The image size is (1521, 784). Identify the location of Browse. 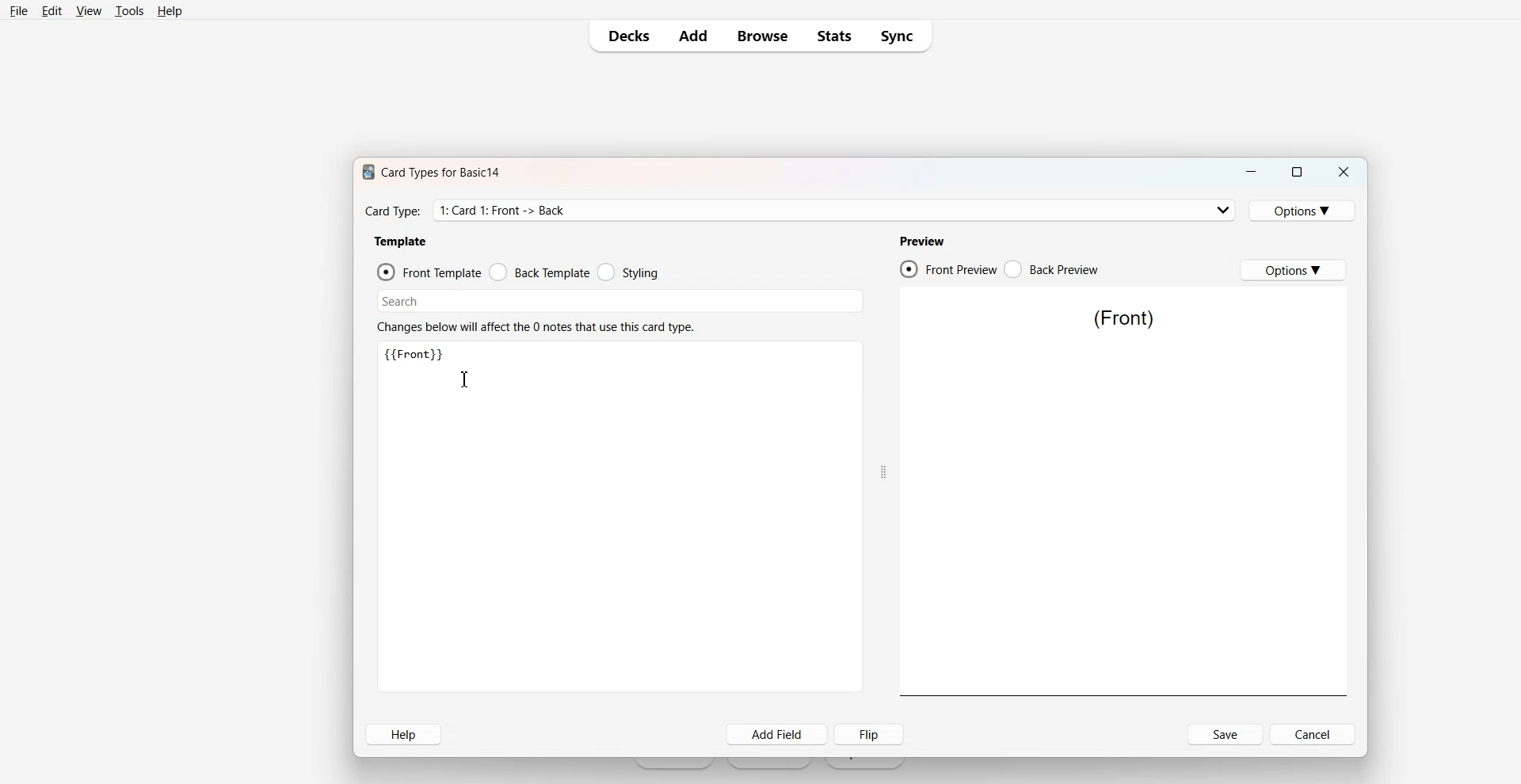
(763, 36).